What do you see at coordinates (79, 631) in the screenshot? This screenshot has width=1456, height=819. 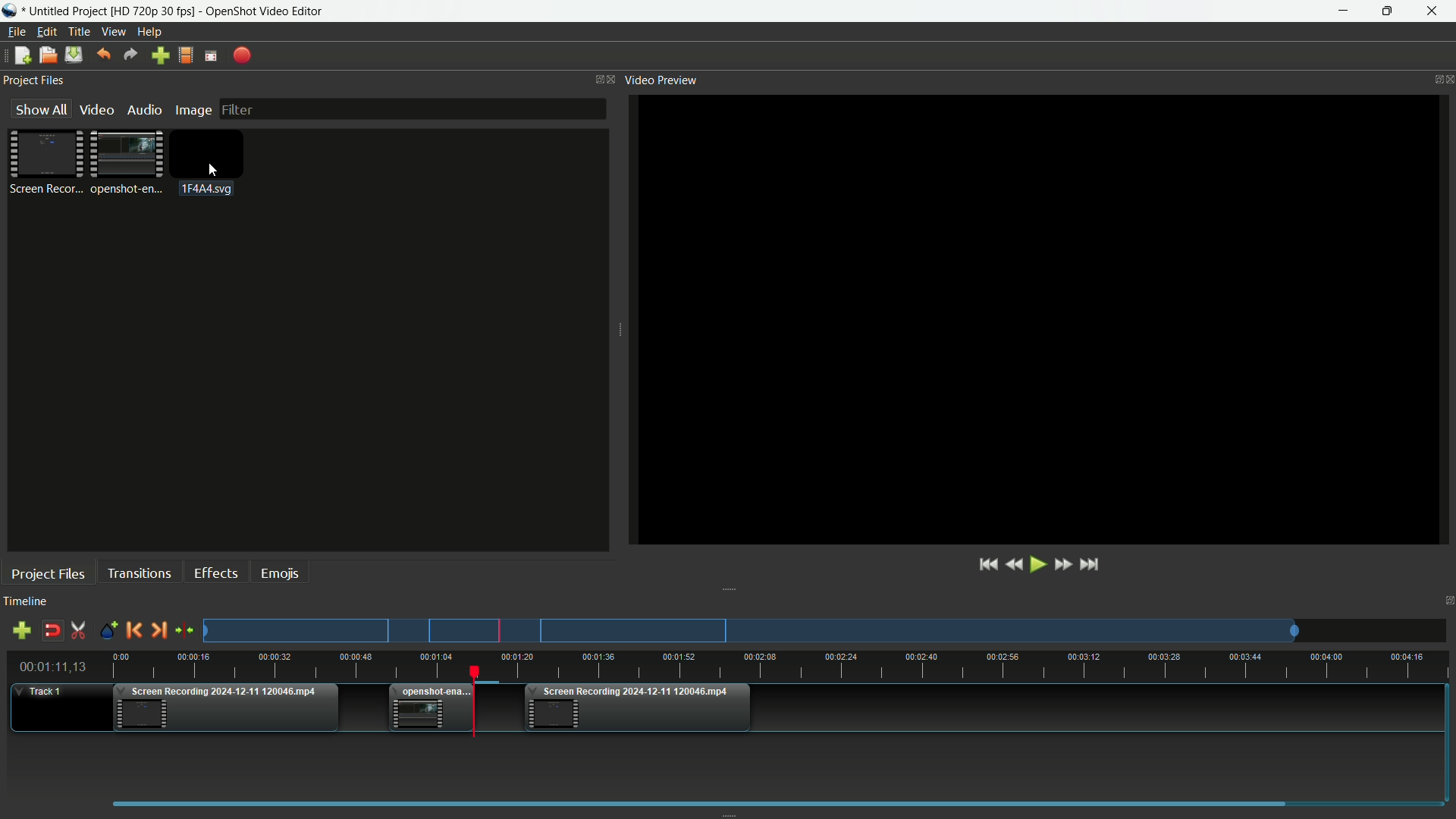 I see `Enable razor` at bounding box center [79, 631].